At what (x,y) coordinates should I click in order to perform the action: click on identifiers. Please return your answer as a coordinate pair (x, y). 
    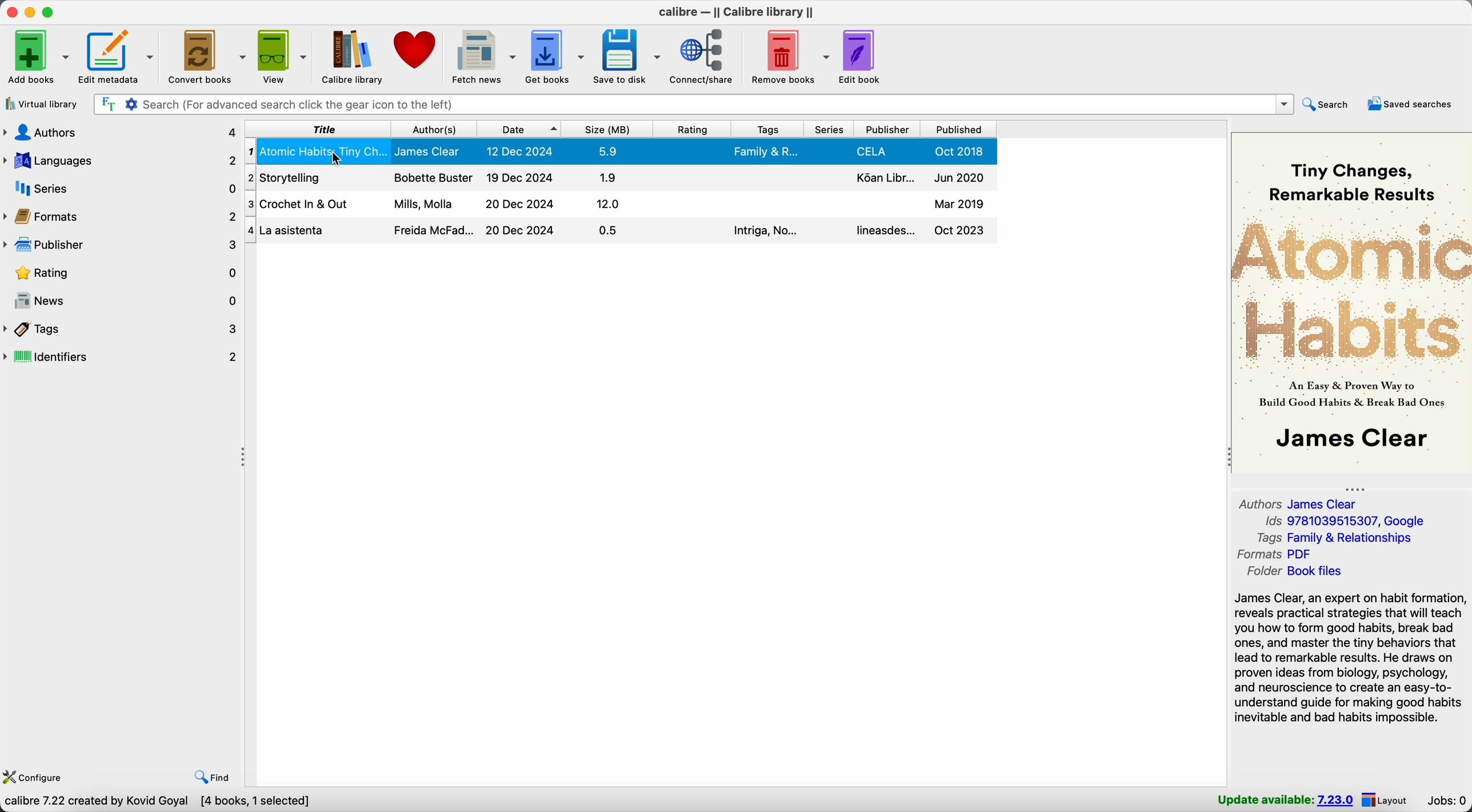
    Looking at the image, I should click on (122, 358).